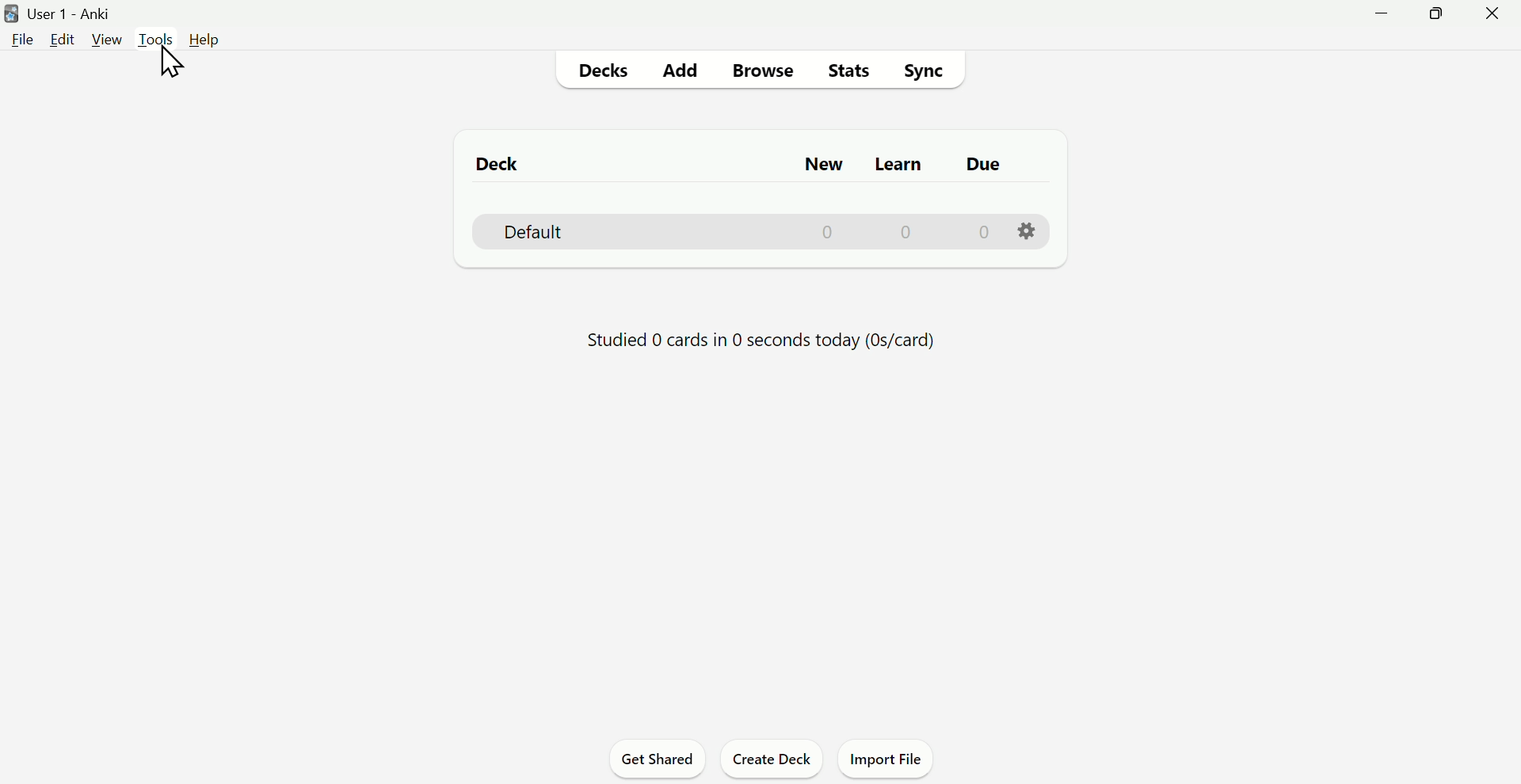 The height and width of the screenshot is (784, 1521). What do you see at coordinates (20, 39) in the screenshot?
I see `File` at bounding box center [20, 39].